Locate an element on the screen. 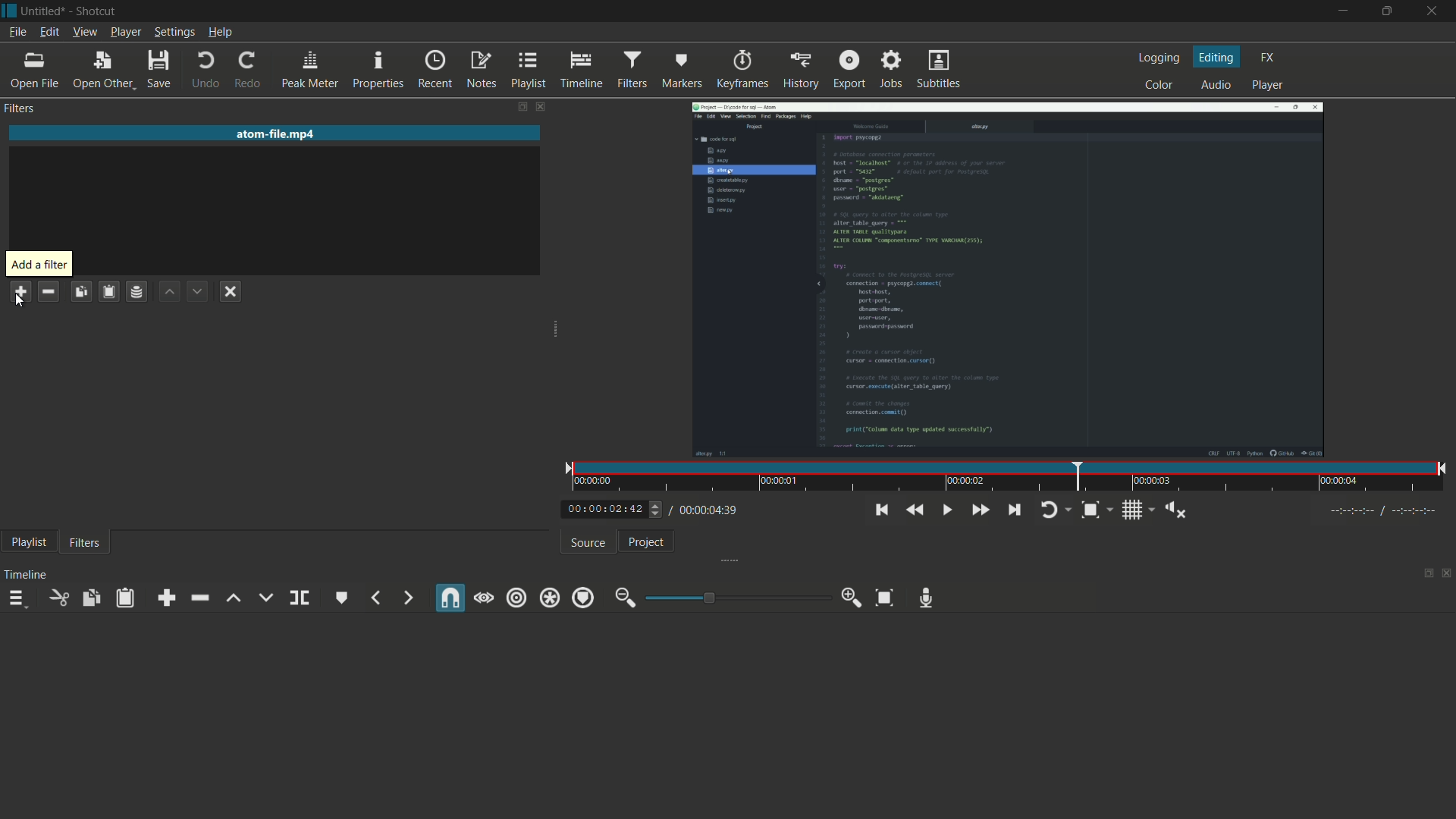 The width and height of the screenshot is (1456, 819). paste is located at coordinates (128, 598).